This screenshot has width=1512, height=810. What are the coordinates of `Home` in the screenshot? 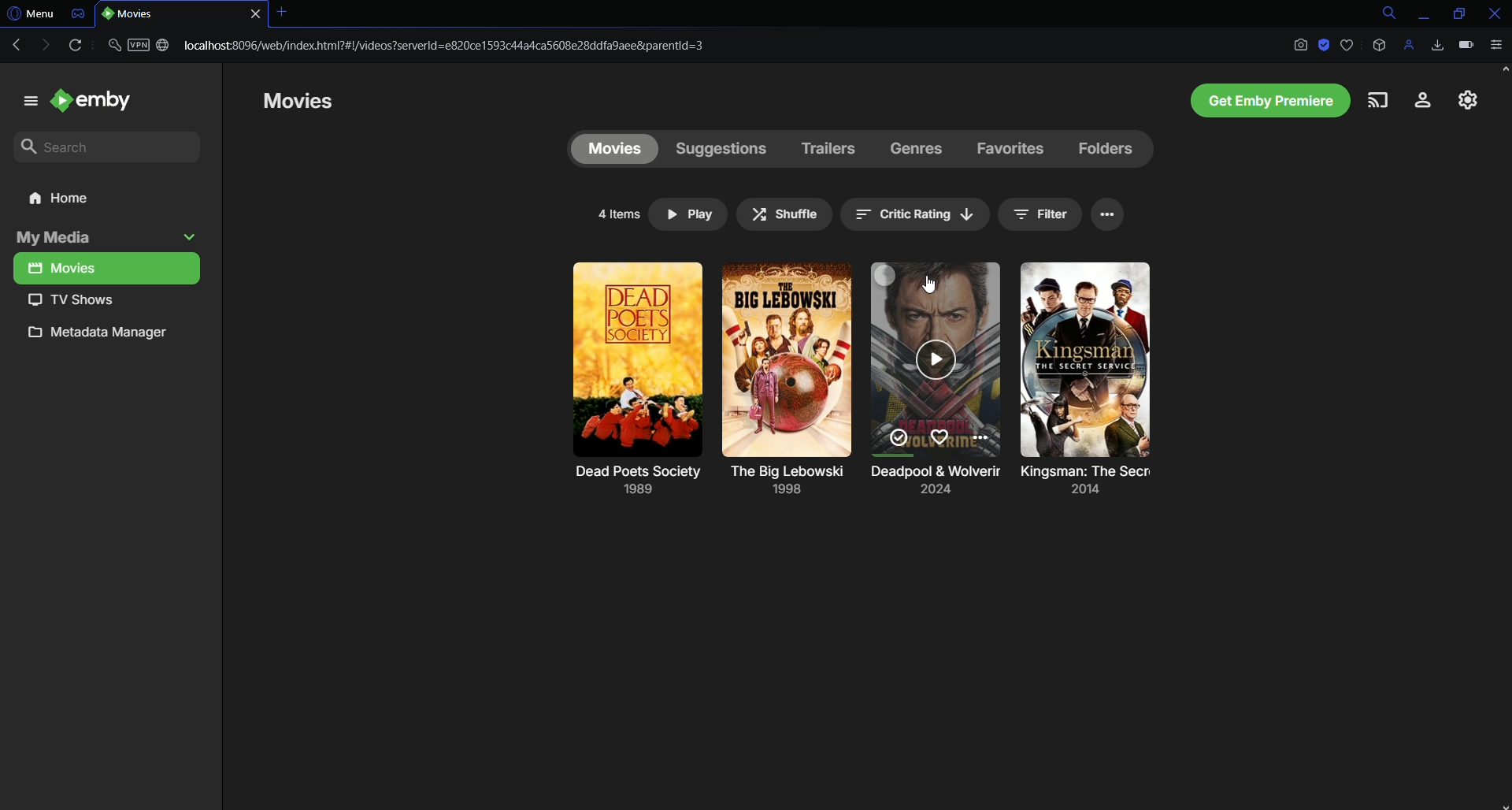 It's located at (111, 202).